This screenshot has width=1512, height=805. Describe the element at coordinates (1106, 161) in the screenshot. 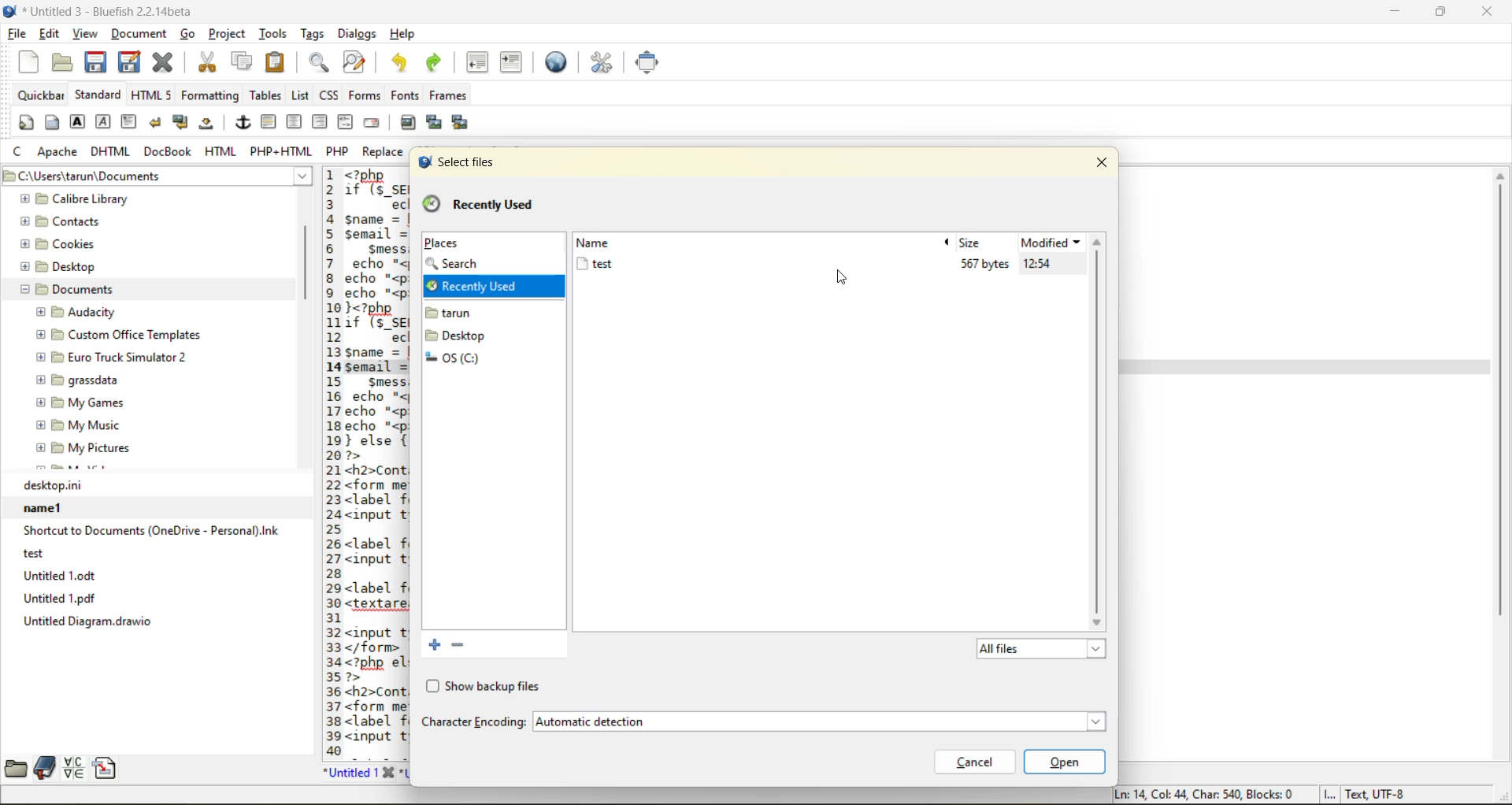

I see `close` at that location.